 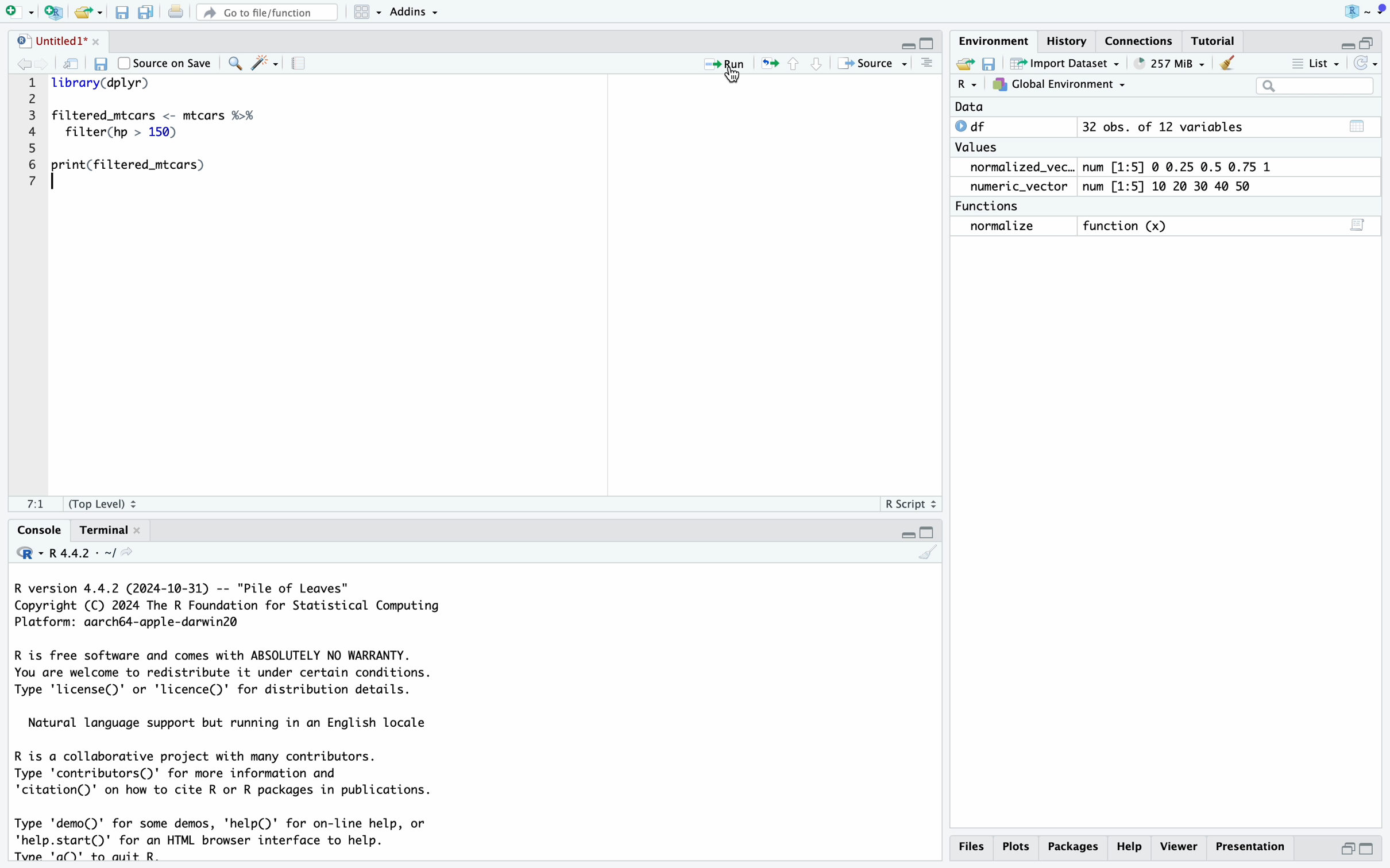 I want to click on next section, so click(x=819, y=65).